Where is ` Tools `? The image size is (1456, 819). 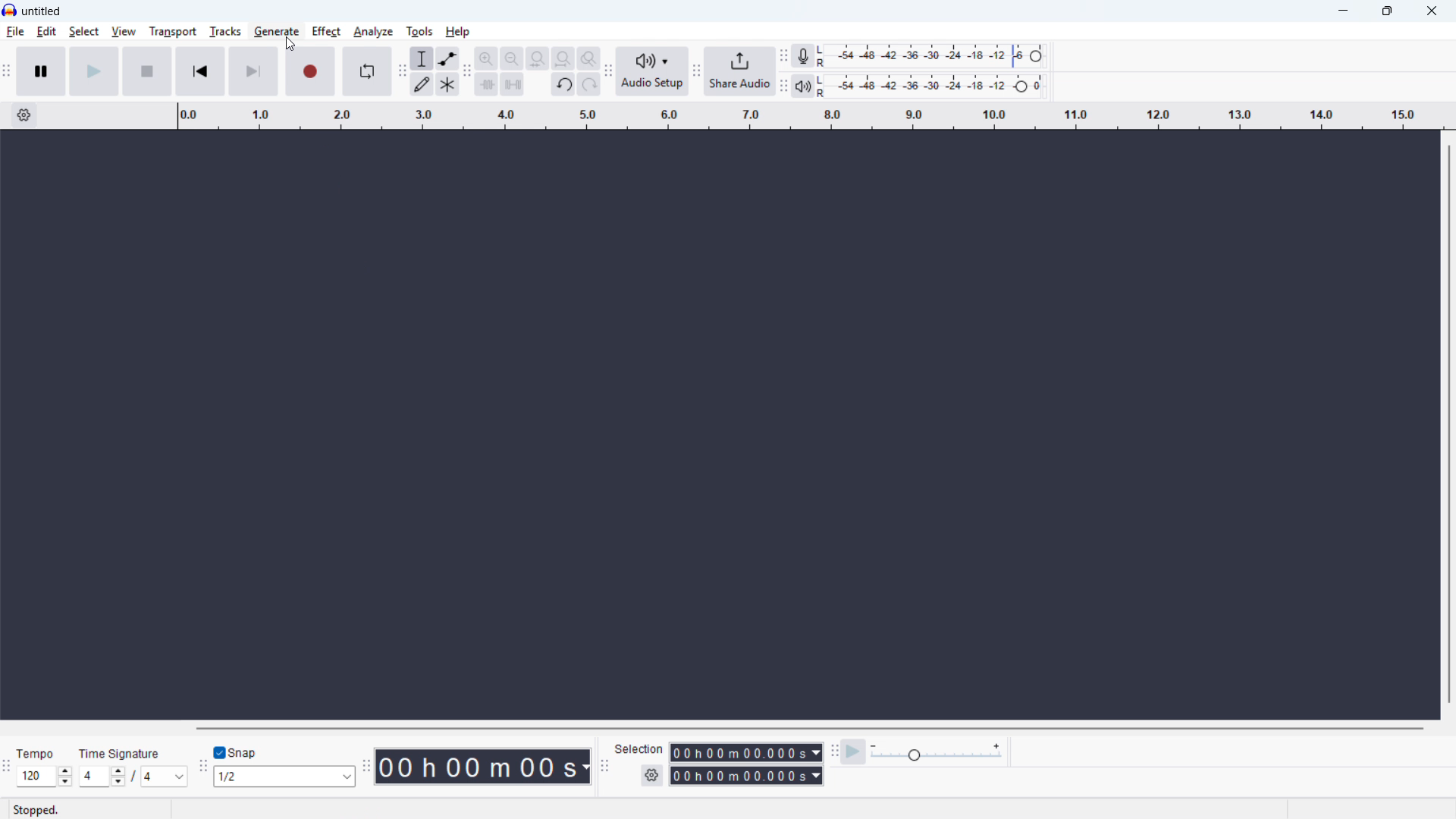
 Tools  is located at coordinates (420, 31).